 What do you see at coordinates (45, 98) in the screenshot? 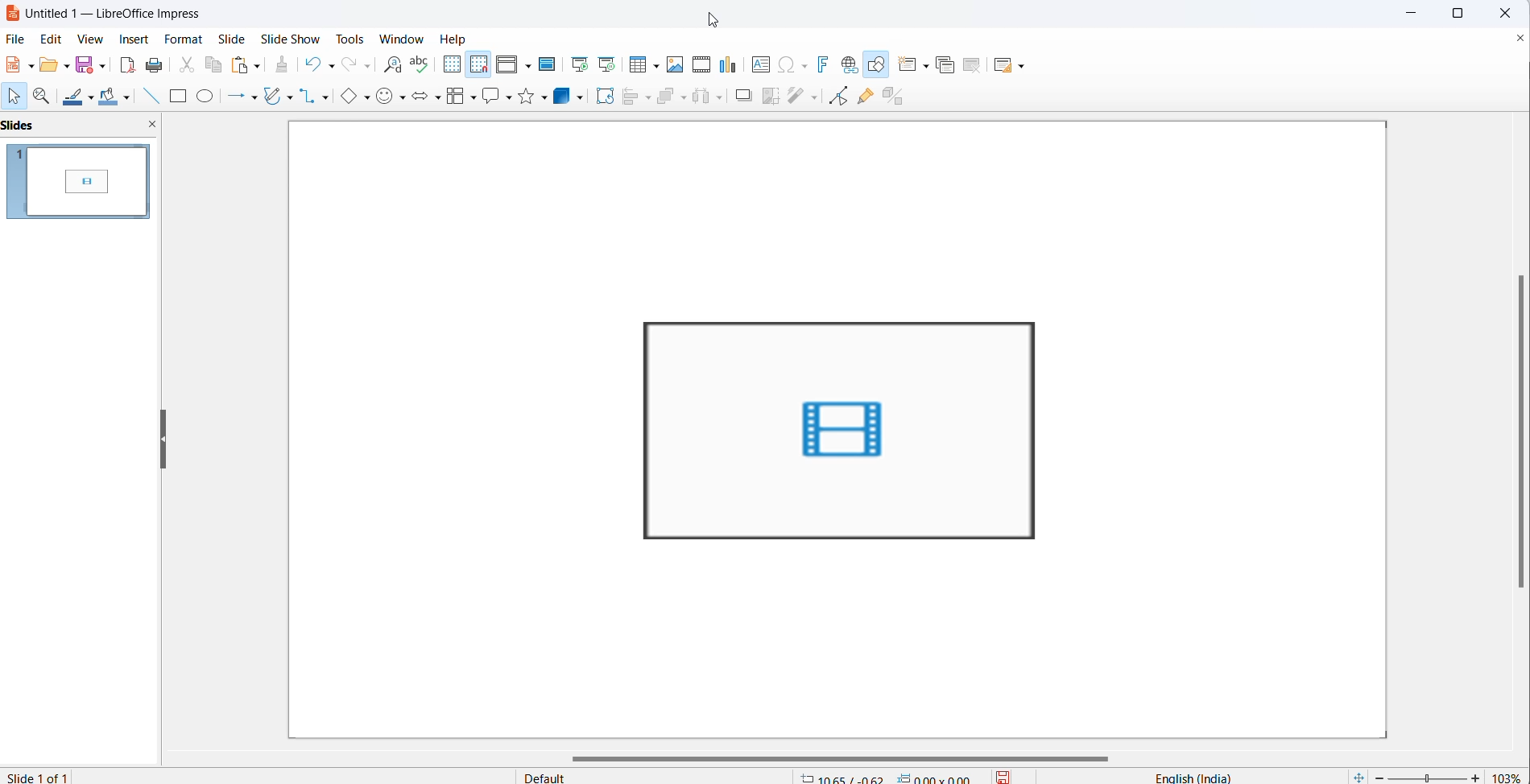
I see `zoom and pan` at bounding box center [45, 98].